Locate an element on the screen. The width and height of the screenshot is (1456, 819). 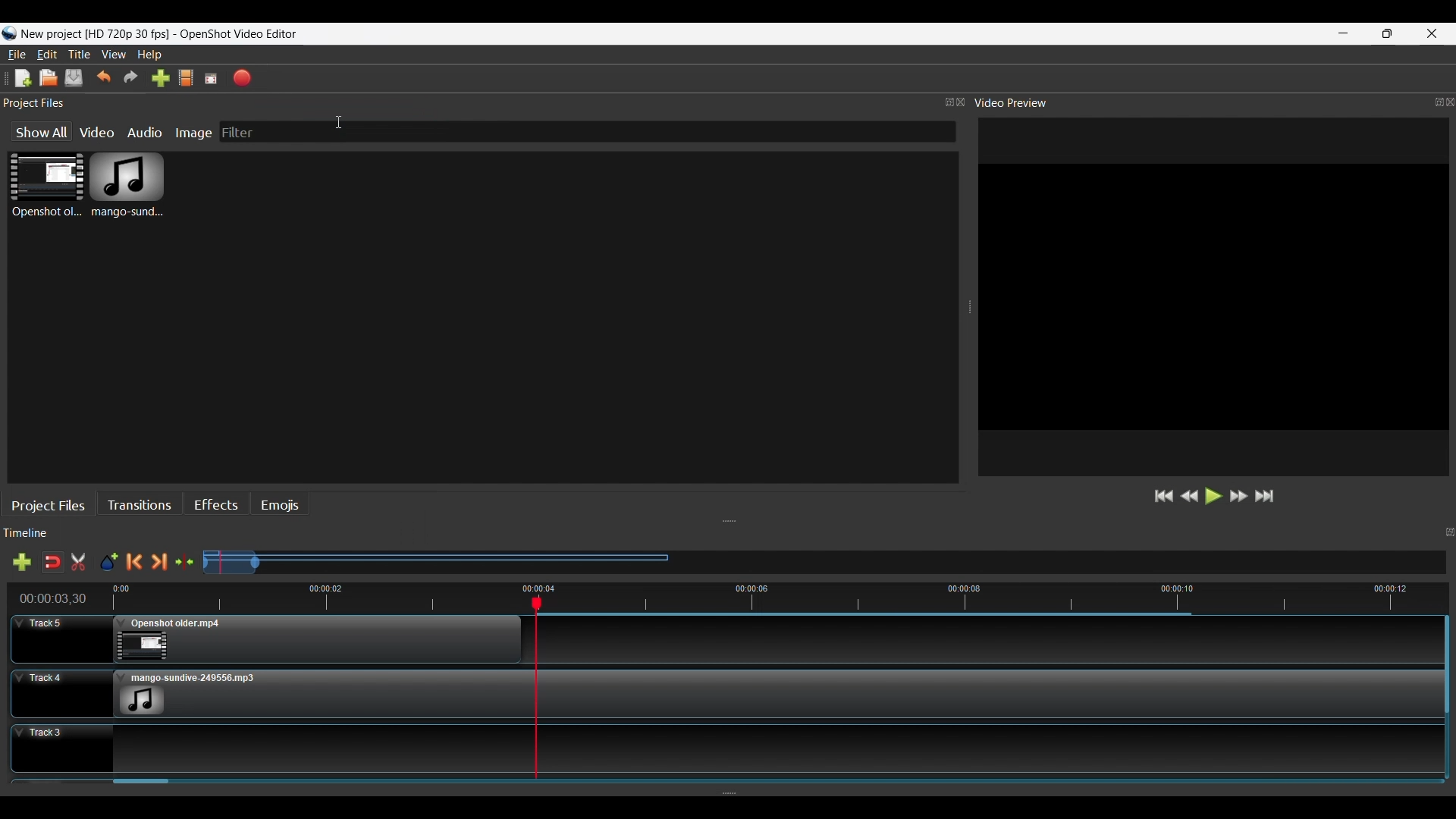
track 4 is located at coordinates (993, 641).